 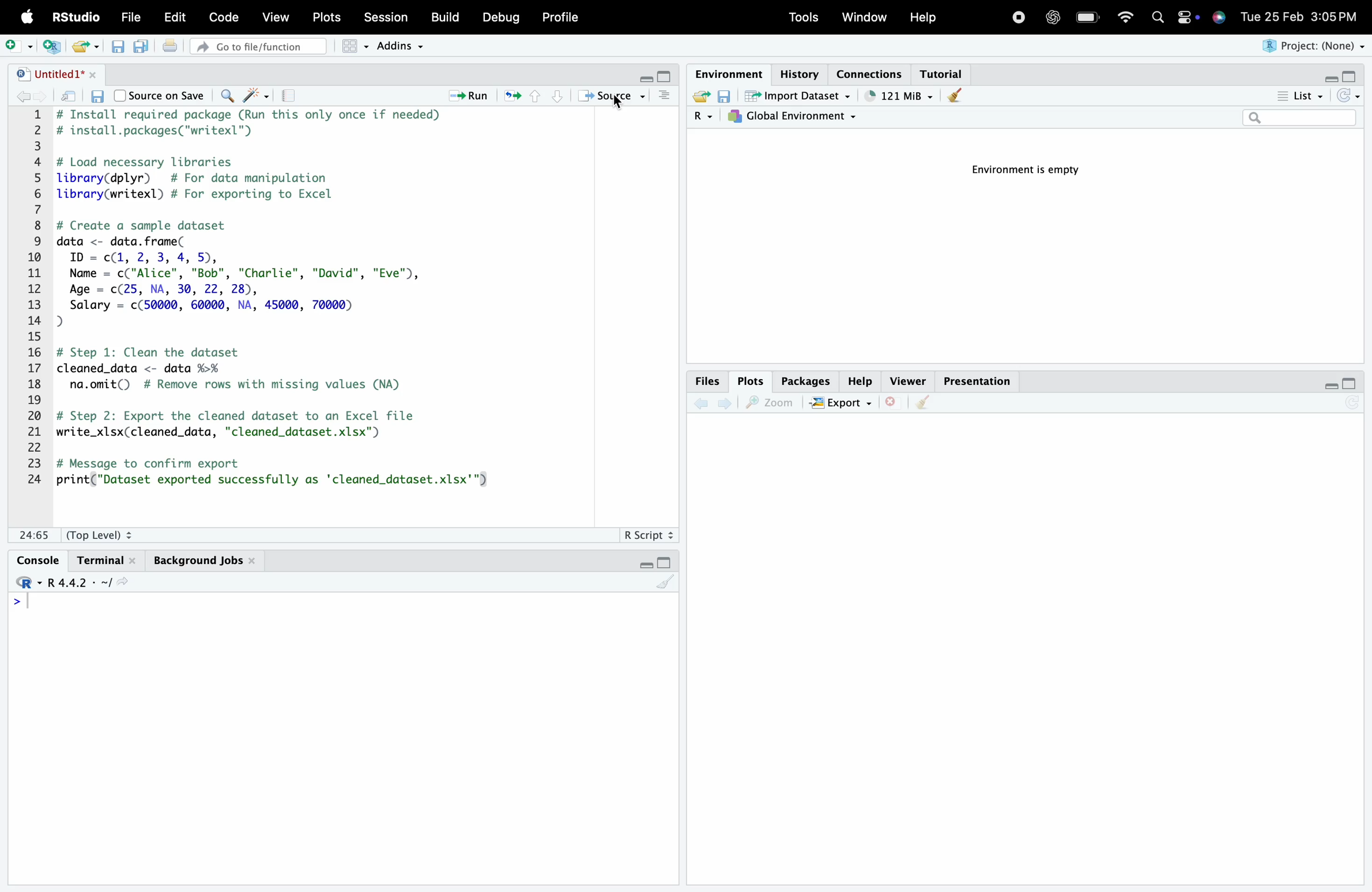 I want to click on Presentation, so click(x=978, y=381).